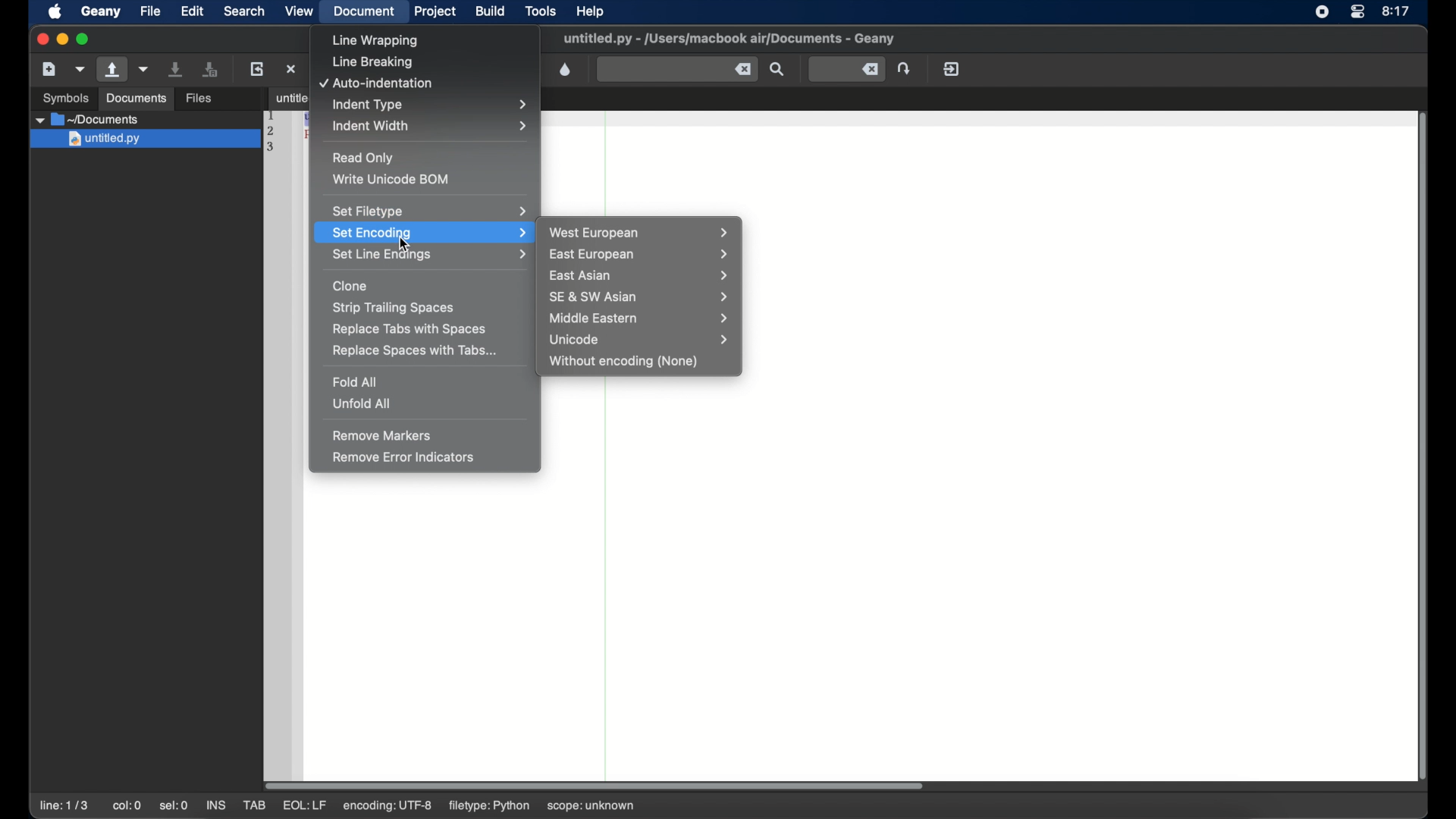  I want to click on line wrapping, so click(377, 41).